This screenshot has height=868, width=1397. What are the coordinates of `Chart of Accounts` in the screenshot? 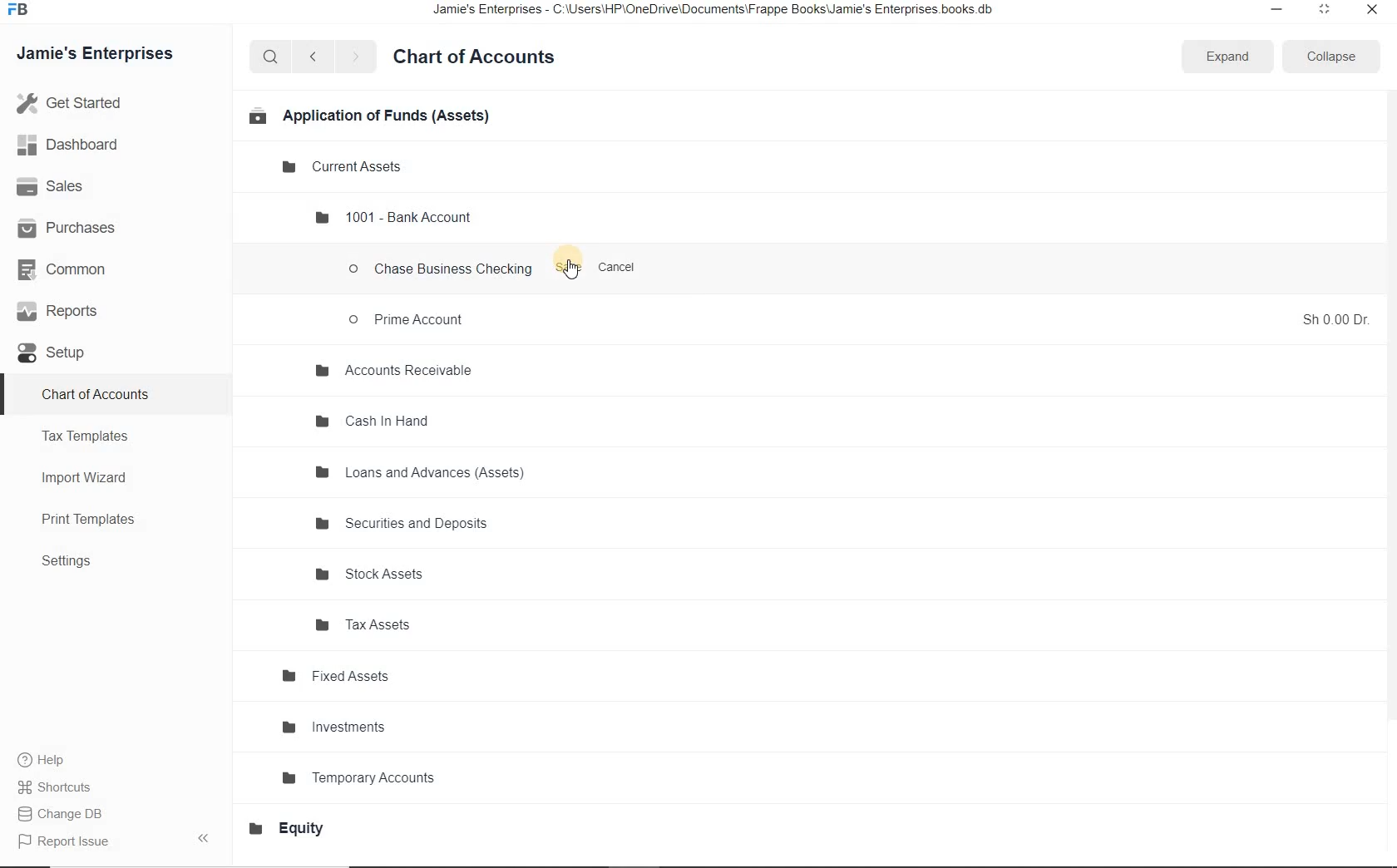 It's located at (481, 57).